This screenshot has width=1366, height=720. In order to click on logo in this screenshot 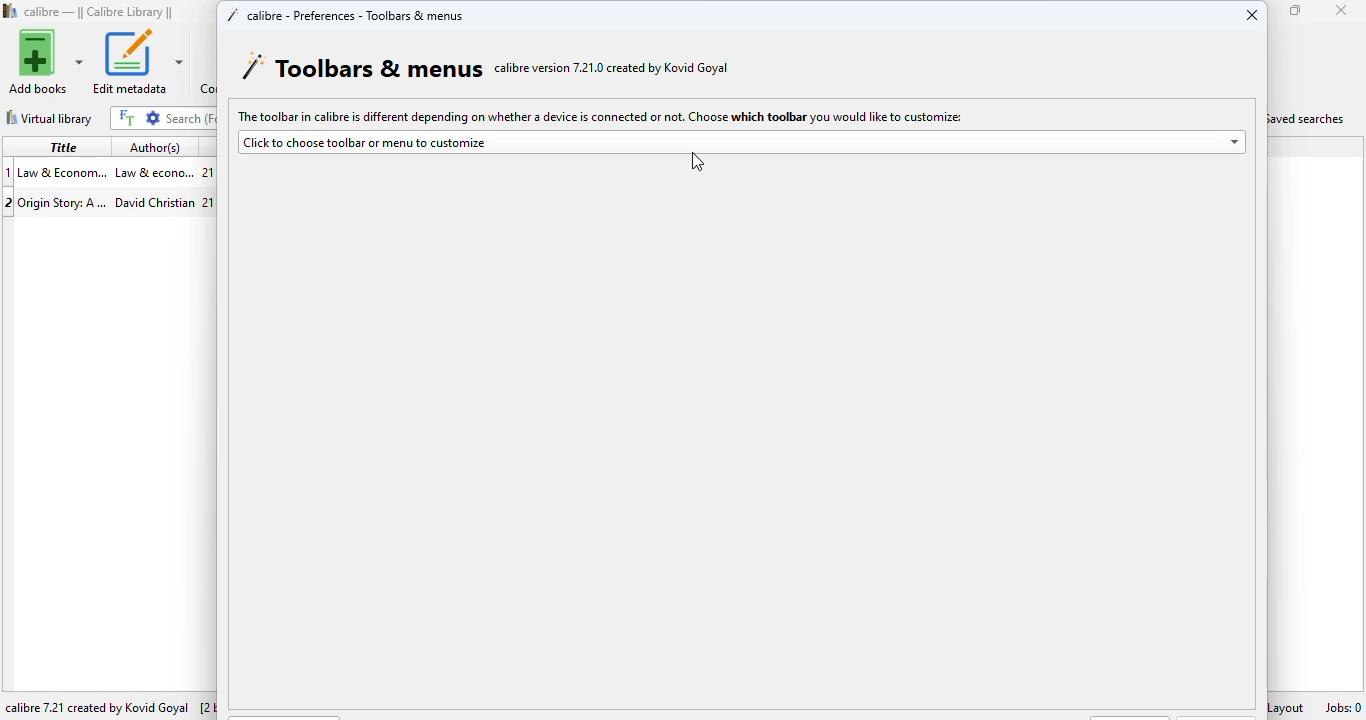, I will do `click(11, 10)`.